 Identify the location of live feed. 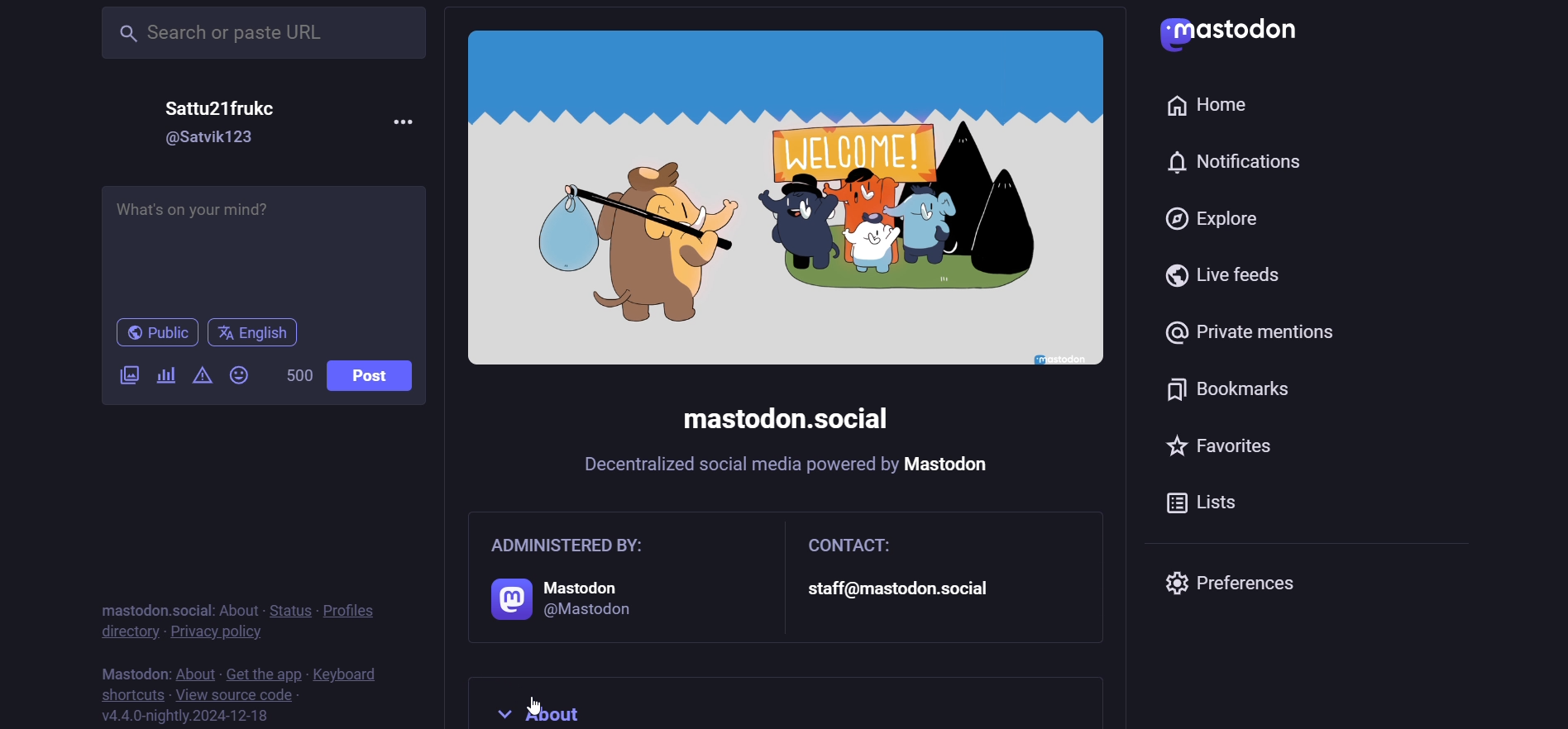
(1225, 275).